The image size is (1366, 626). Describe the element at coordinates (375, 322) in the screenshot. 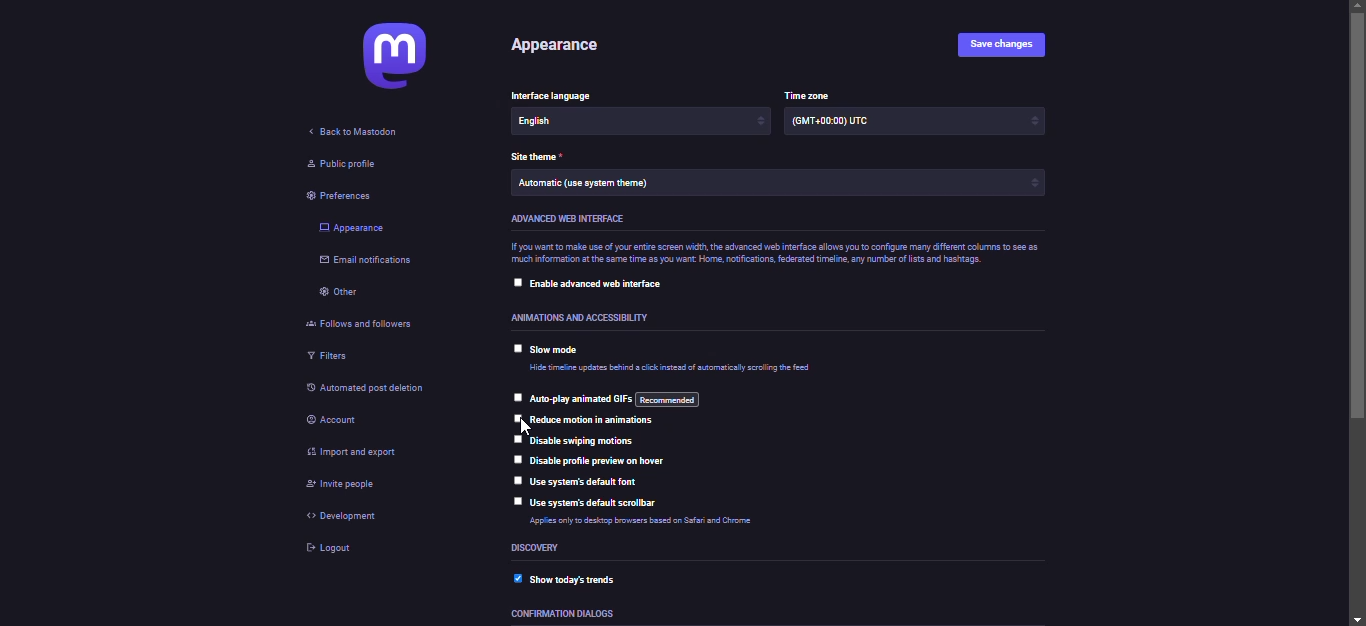

I see `follows and followers` at that location.